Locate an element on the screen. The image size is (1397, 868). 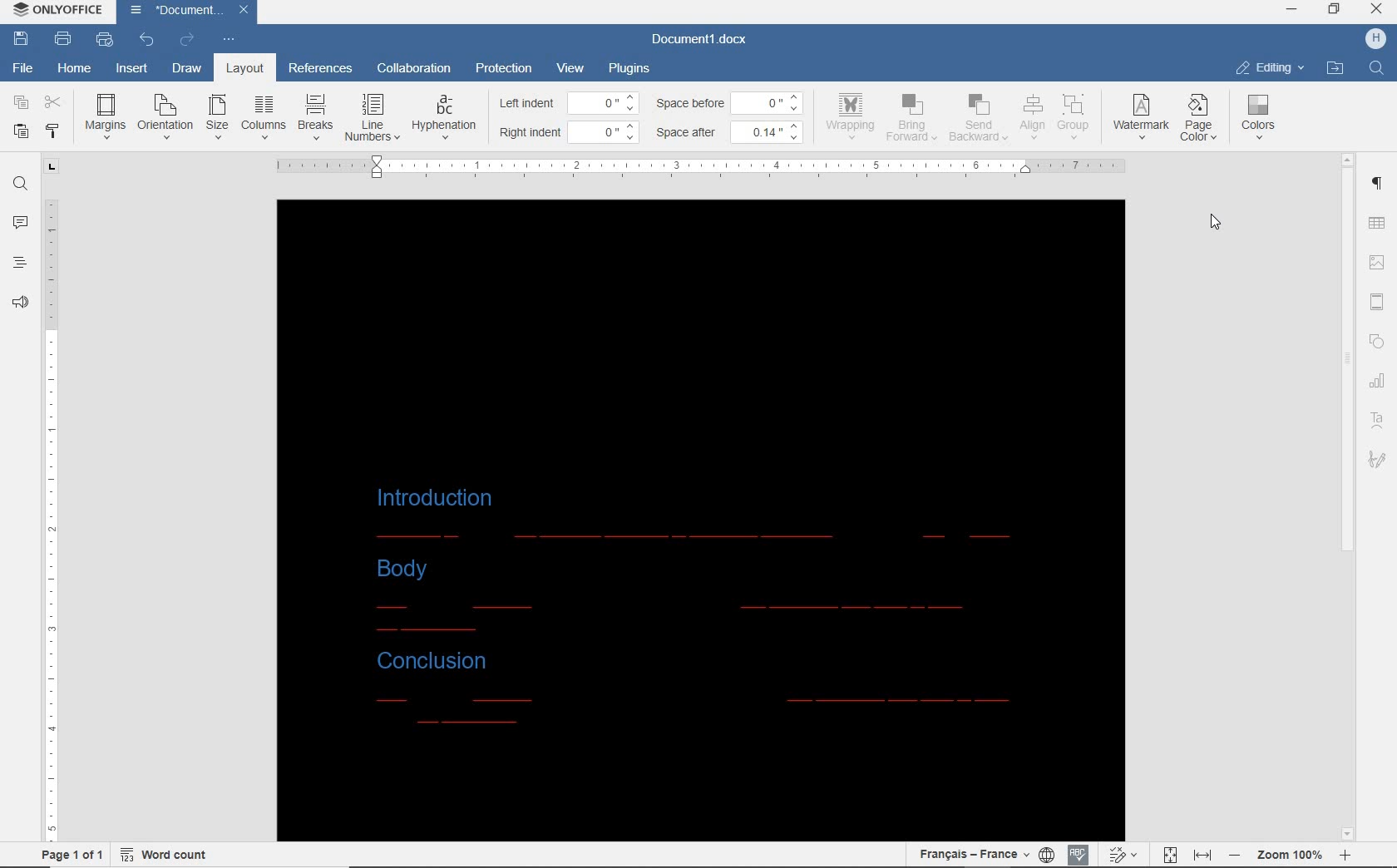
headings is located at coordinates (17, 263).